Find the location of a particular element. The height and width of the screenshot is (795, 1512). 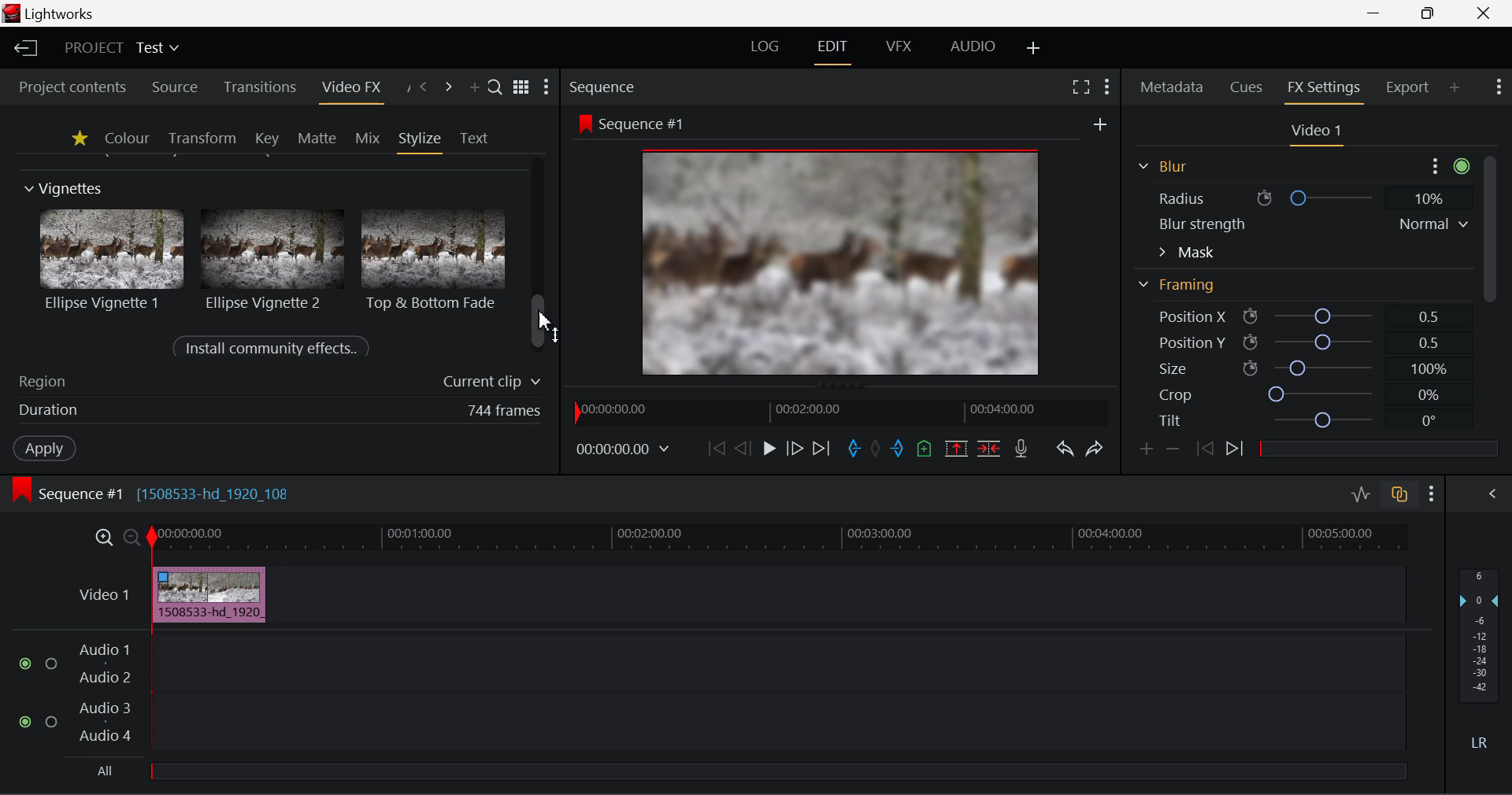

Cues is located at coordinates (1249, 88).